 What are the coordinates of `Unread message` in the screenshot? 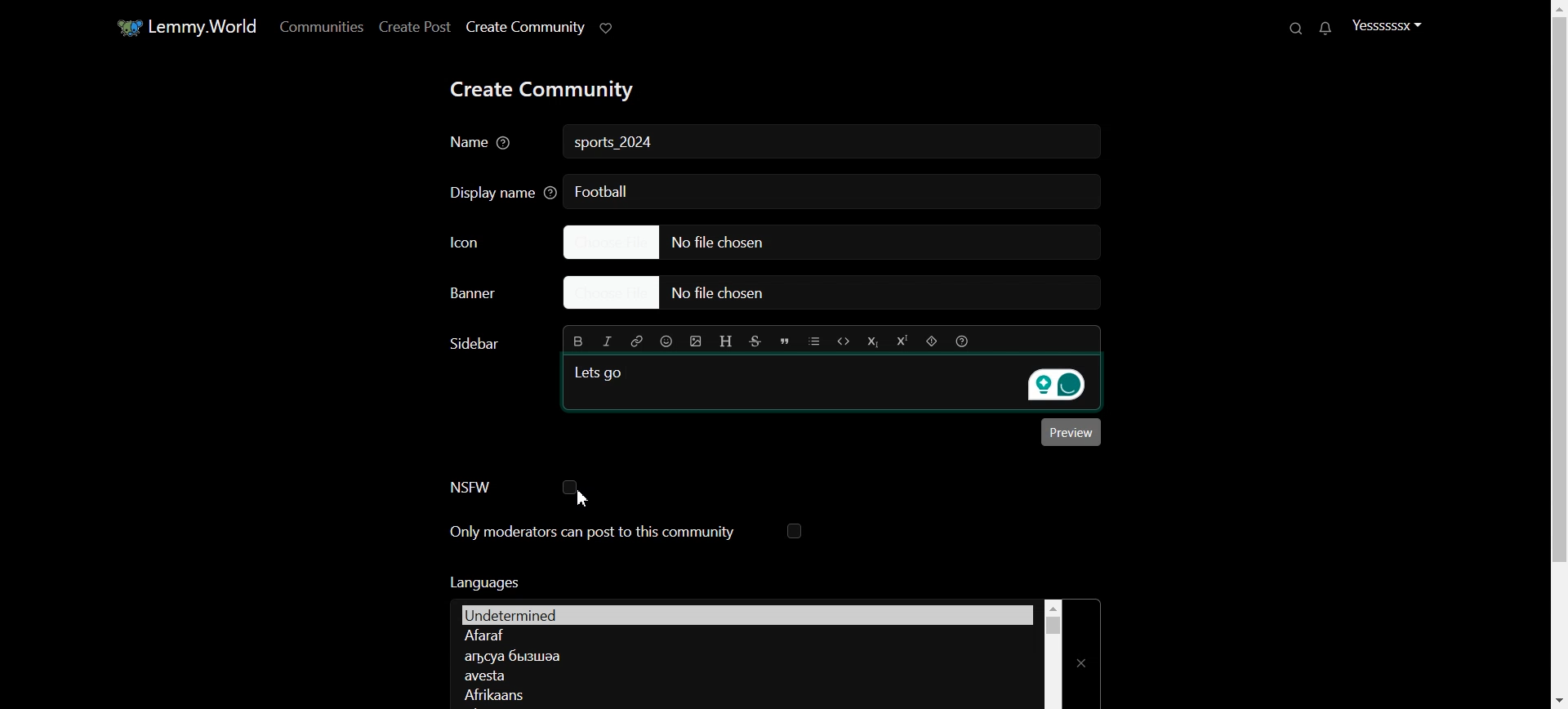 It's located at (1324, 29).